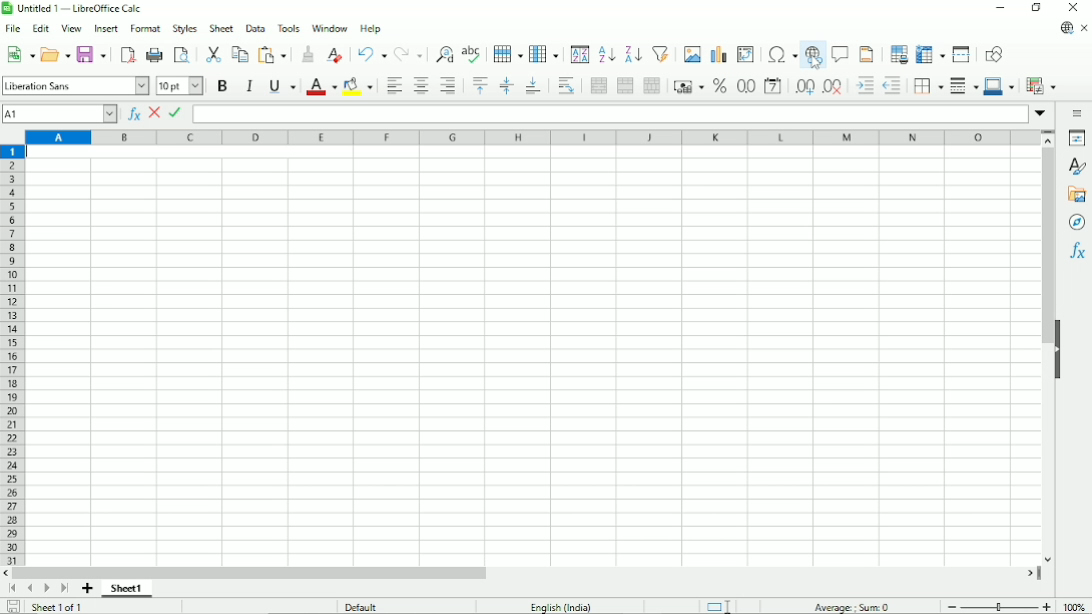 Image resolution: width=1092 pixels, height=614 pixels. Describe the element at coordinates (184, 29) in the screenshot. I see `Styles` at that location.